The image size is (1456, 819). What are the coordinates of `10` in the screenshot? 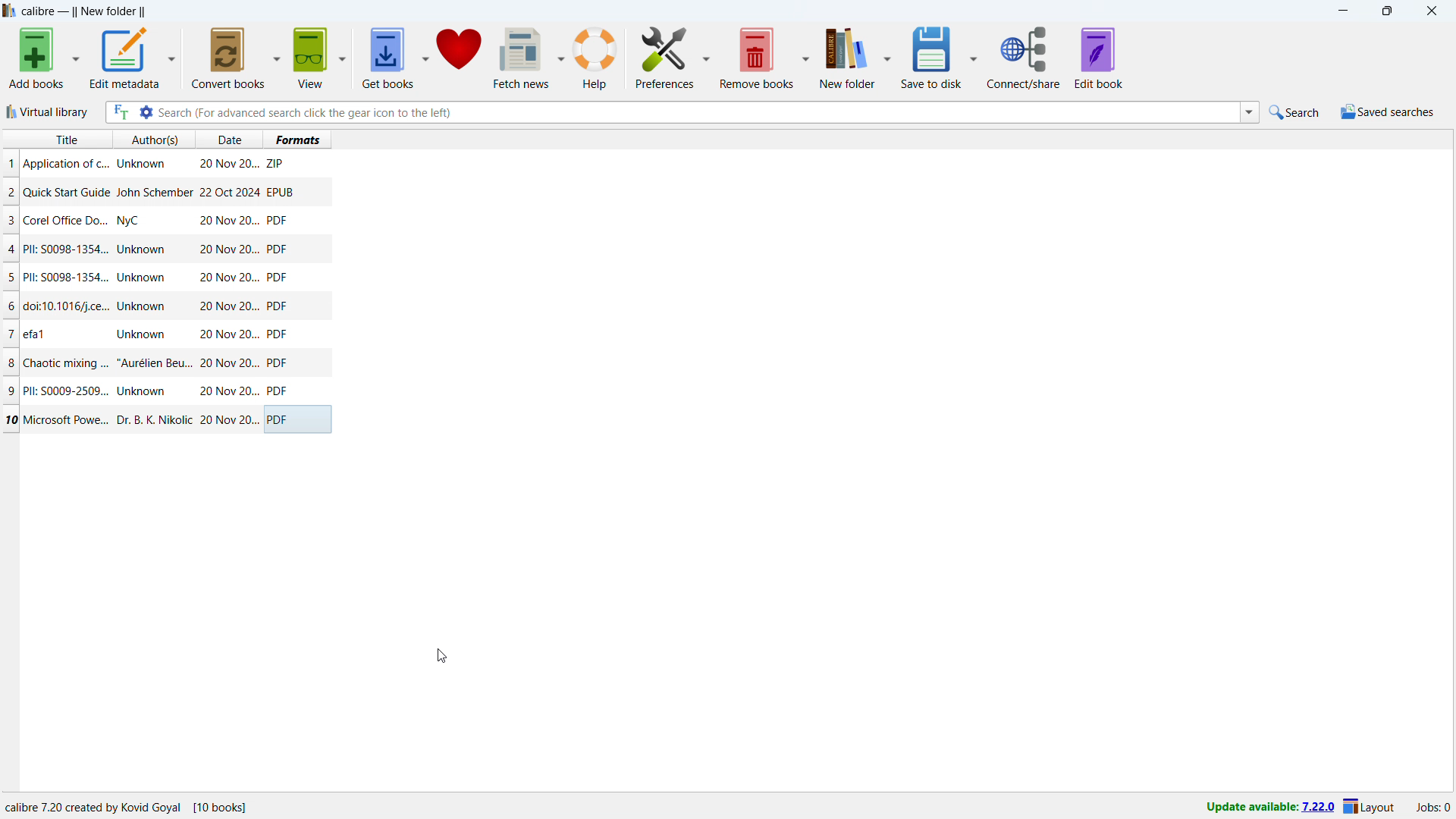 It's located at (11, 419).